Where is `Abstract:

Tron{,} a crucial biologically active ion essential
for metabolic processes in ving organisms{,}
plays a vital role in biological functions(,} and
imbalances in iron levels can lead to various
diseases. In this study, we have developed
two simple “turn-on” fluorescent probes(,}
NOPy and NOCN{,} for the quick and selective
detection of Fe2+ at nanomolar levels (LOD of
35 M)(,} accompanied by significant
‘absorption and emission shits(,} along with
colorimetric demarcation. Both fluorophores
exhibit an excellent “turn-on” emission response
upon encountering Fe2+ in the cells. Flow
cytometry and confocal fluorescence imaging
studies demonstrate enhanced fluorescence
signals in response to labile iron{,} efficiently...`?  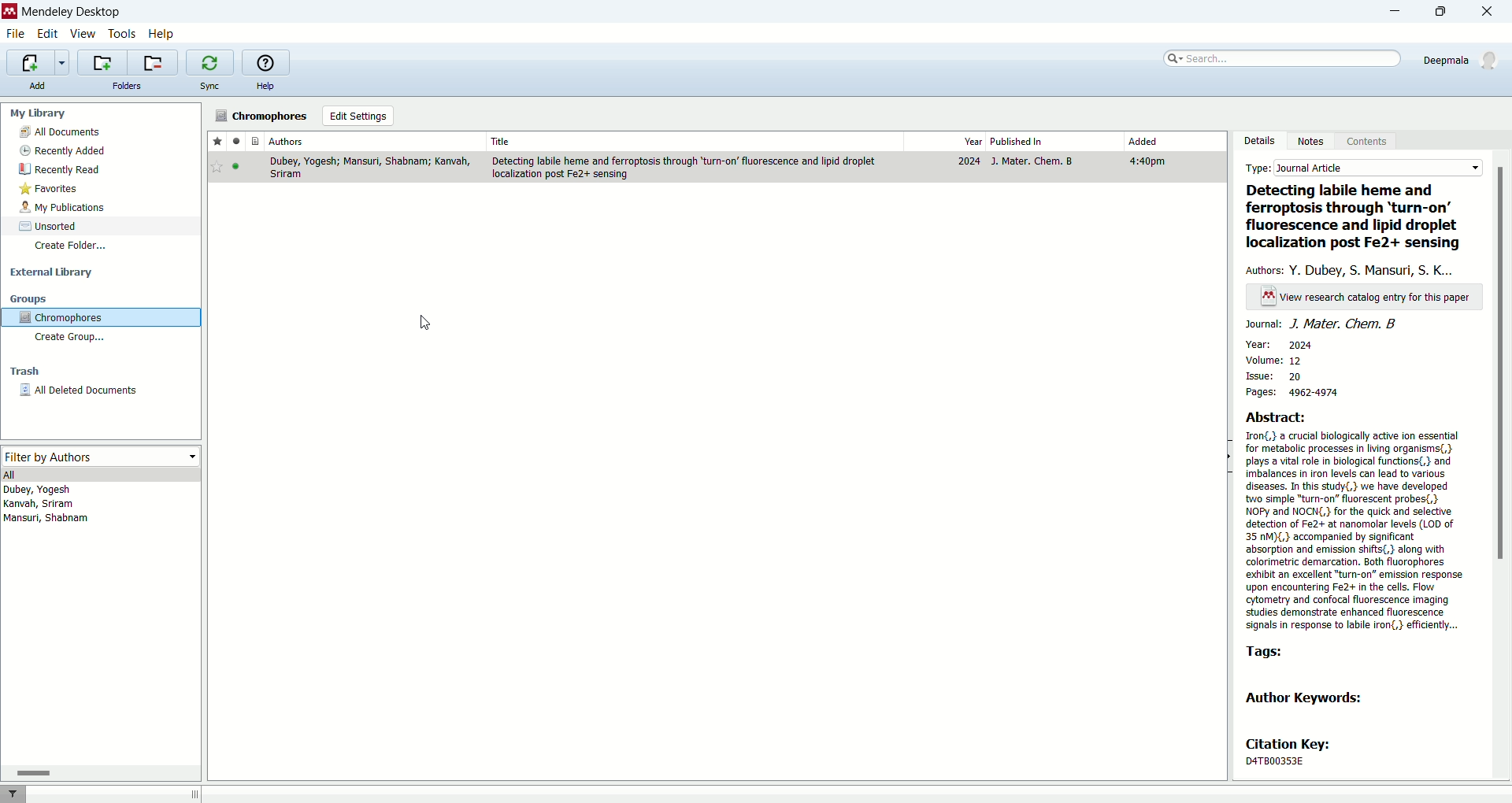 Abstract:

Tron{,} a crucial biologically active ion essential
for metabolic processes in ving organisms{,}
plays a vital role in biological functions(,} and
imbalances in iron levels can lead to various
diseases. In this study, we have developed
two simple “turn-on” fluorescent probes(,}
NOPy and NOCN{,} for the quick and selective
detection of Fe2+ at nanomolar levels (LOD of
35 M)(,} accompanied by significant
‘absorption and emission shits(,} along with
colorimetric demarcation. Both fluorophores
exhibit an excellent “turn-on” emission response
upon encountering Fe2+ in the cells. Flow
cytometry and confocal fluorescence imaging
studies demonstrate enhanced fluorescence
signals in response to labile iron{,} efficiently... is located at coordinates (1355, 520).